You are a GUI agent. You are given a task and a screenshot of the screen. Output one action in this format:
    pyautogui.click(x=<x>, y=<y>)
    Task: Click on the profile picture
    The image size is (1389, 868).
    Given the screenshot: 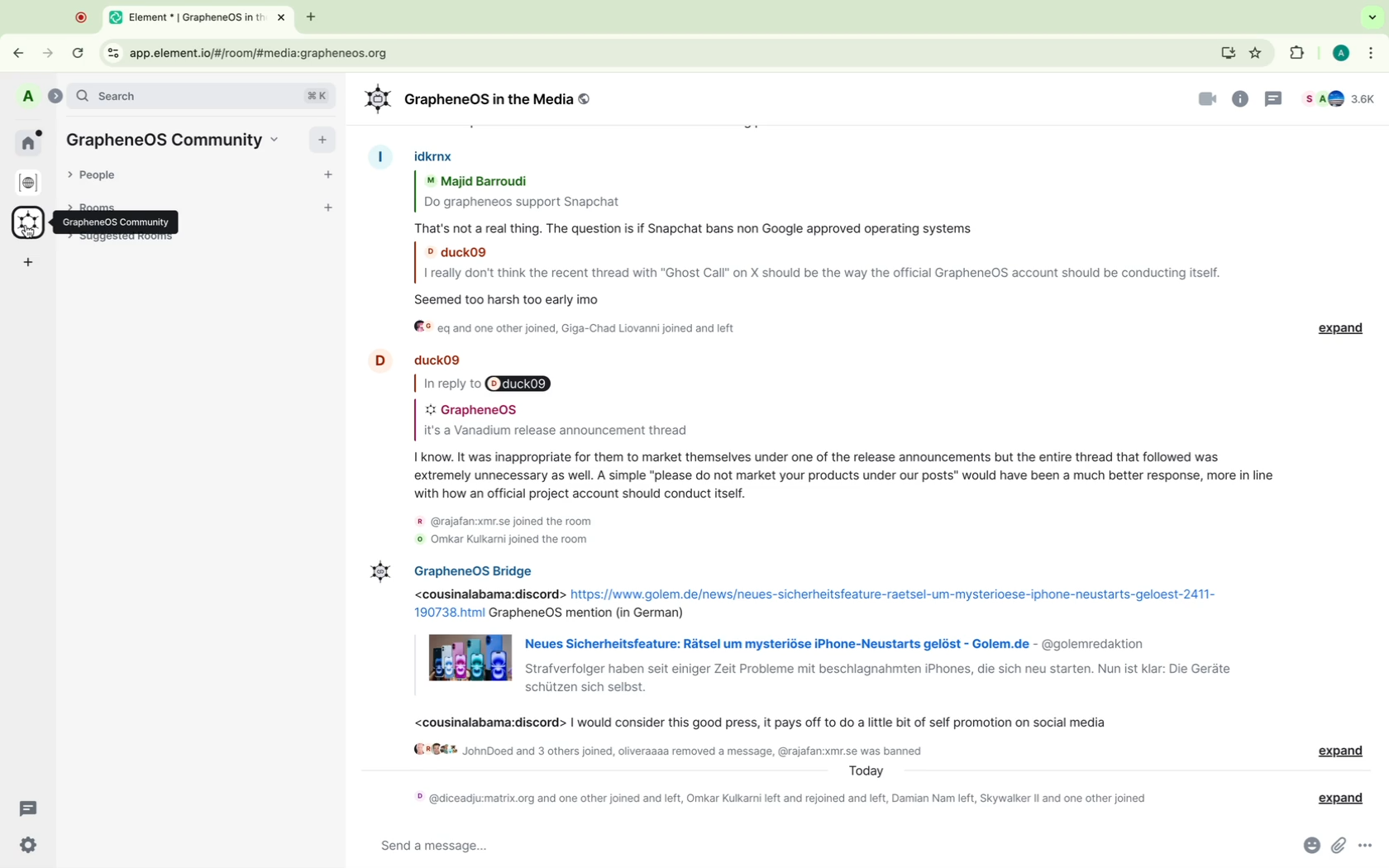 What is the action you would take?
    pyautogui.click(x=381, y=155)
    